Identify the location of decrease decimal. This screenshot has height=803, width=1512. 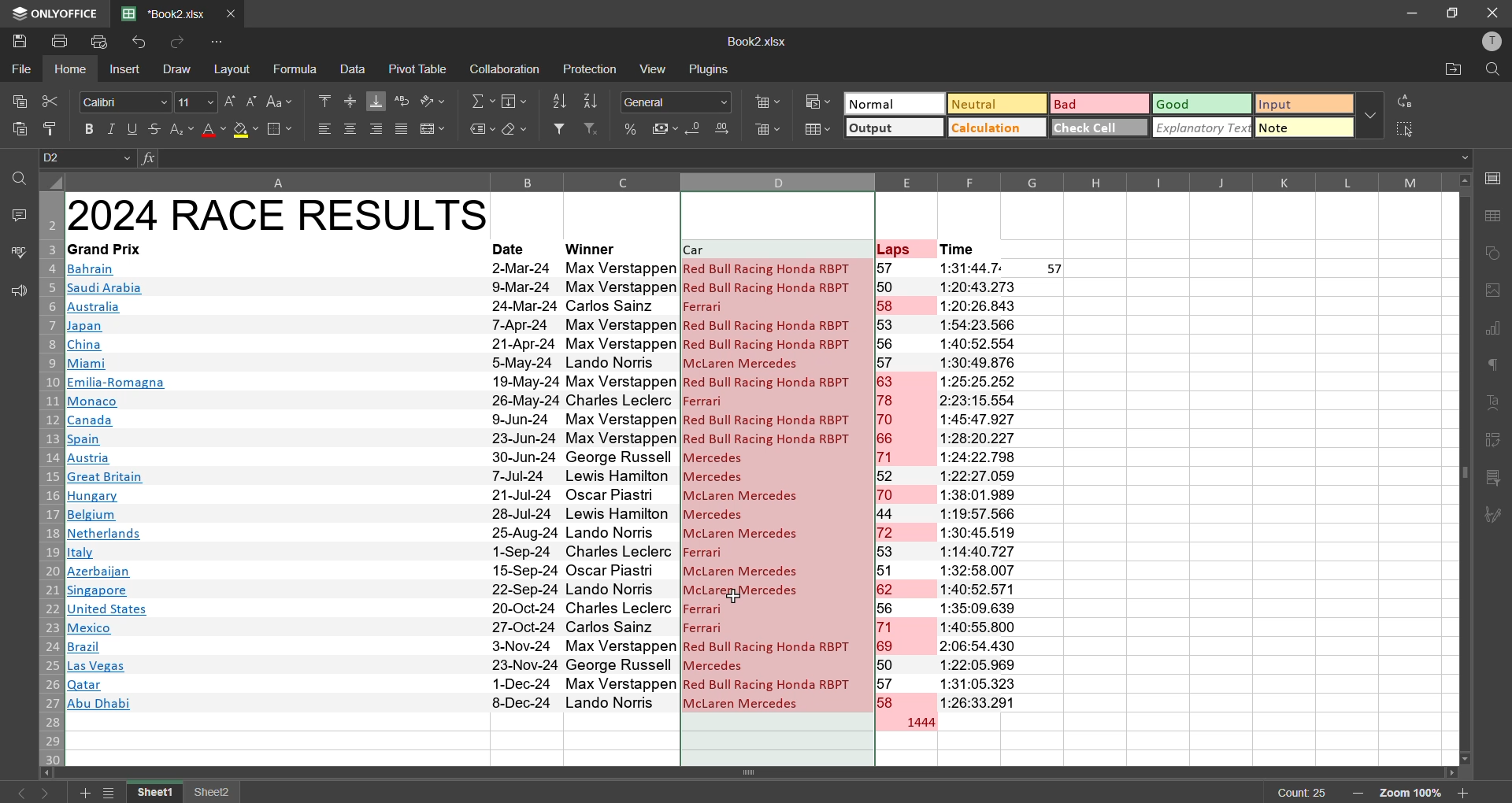
(696, 131).